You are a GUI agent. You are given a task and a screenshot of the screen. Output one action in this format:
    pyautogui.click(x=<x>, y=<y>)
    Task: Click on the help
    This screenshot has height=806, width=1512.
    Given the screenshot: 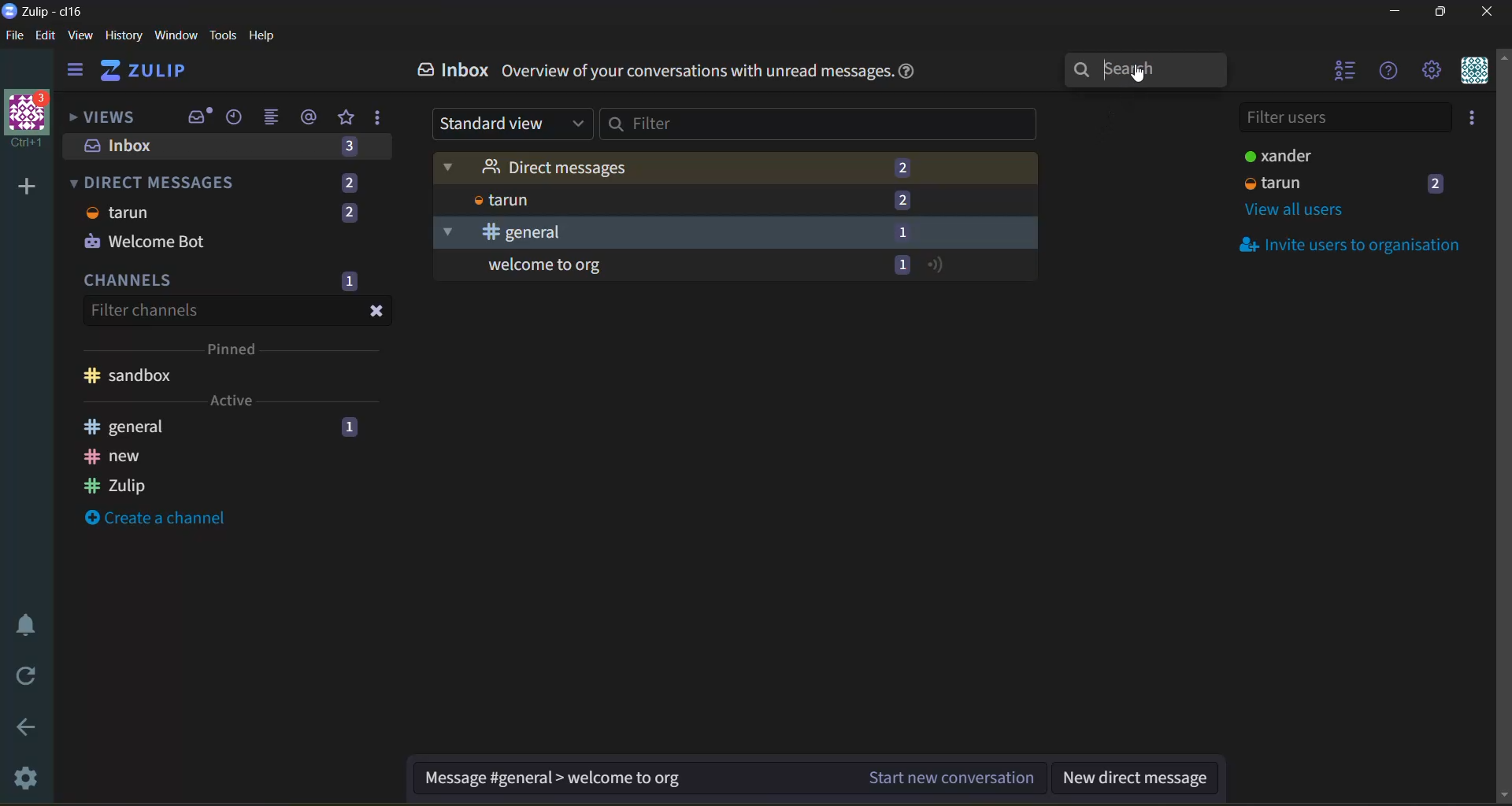 What is the action you would take?
    pyautogui.click(x=263, y=35)
    